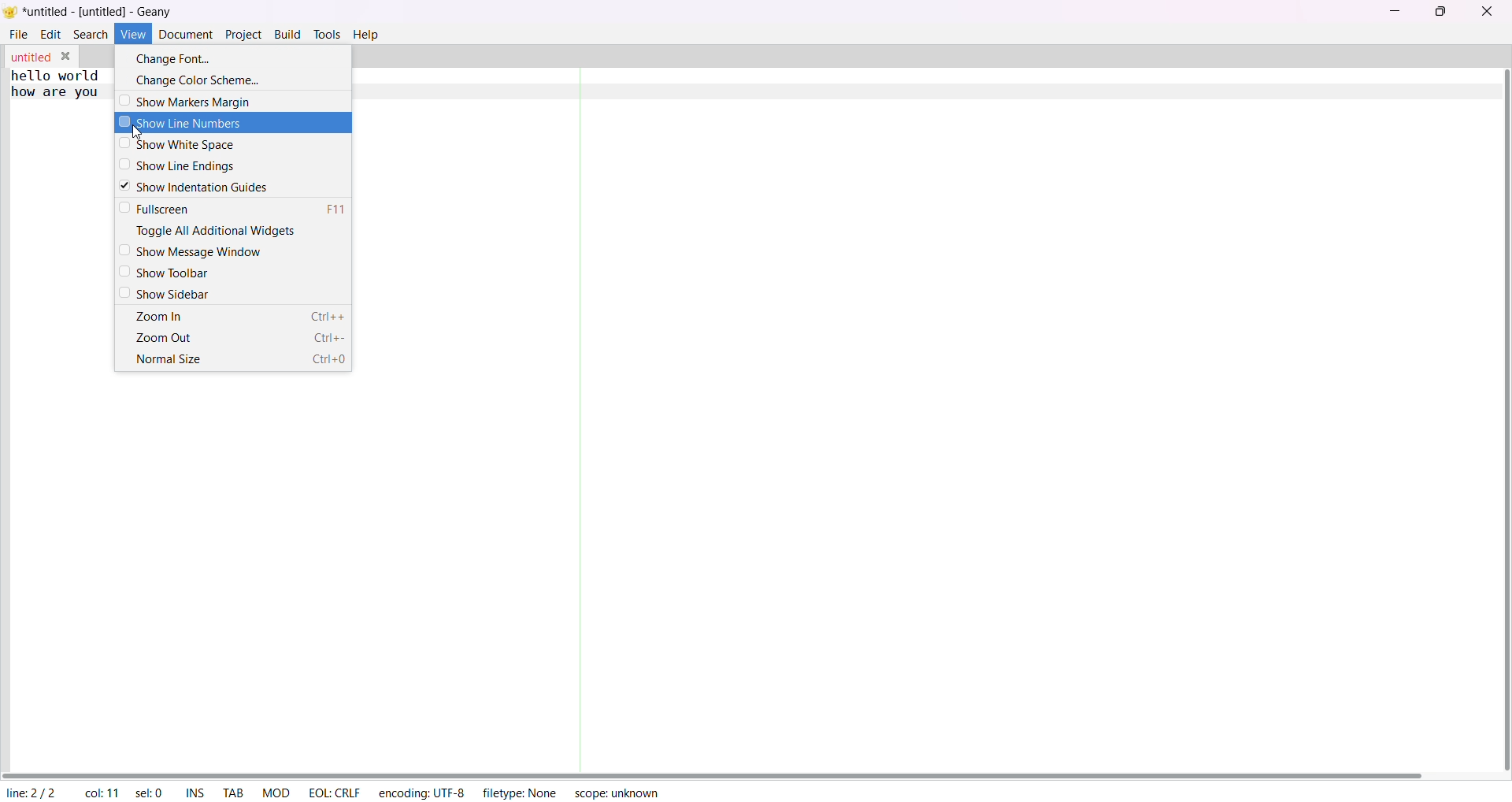  Describe the element at coordinates (327, 34) in the screenshot. I see `tolls` at that location.